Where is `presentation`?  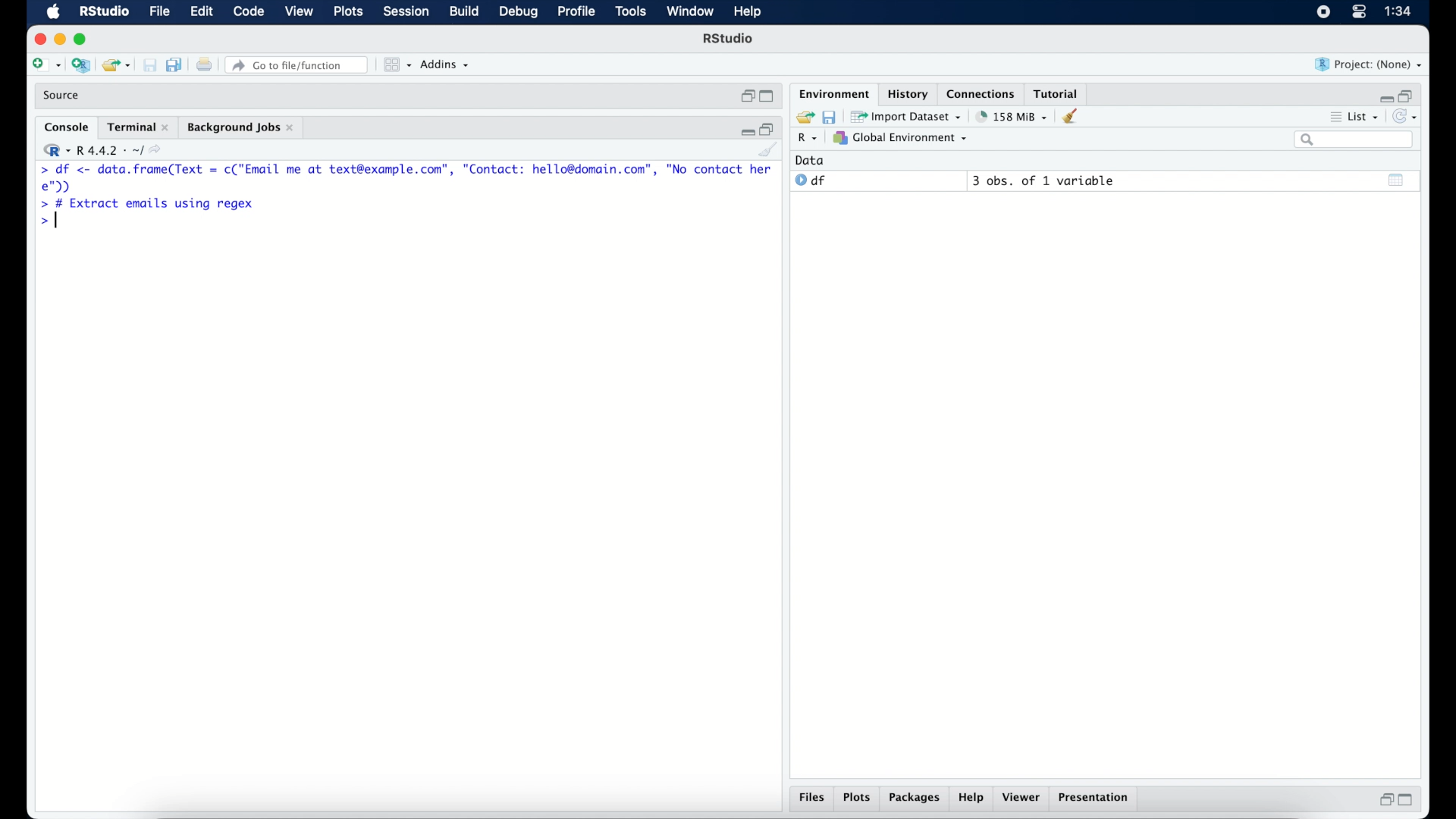
presentation is located at coordinates (1096, 799).